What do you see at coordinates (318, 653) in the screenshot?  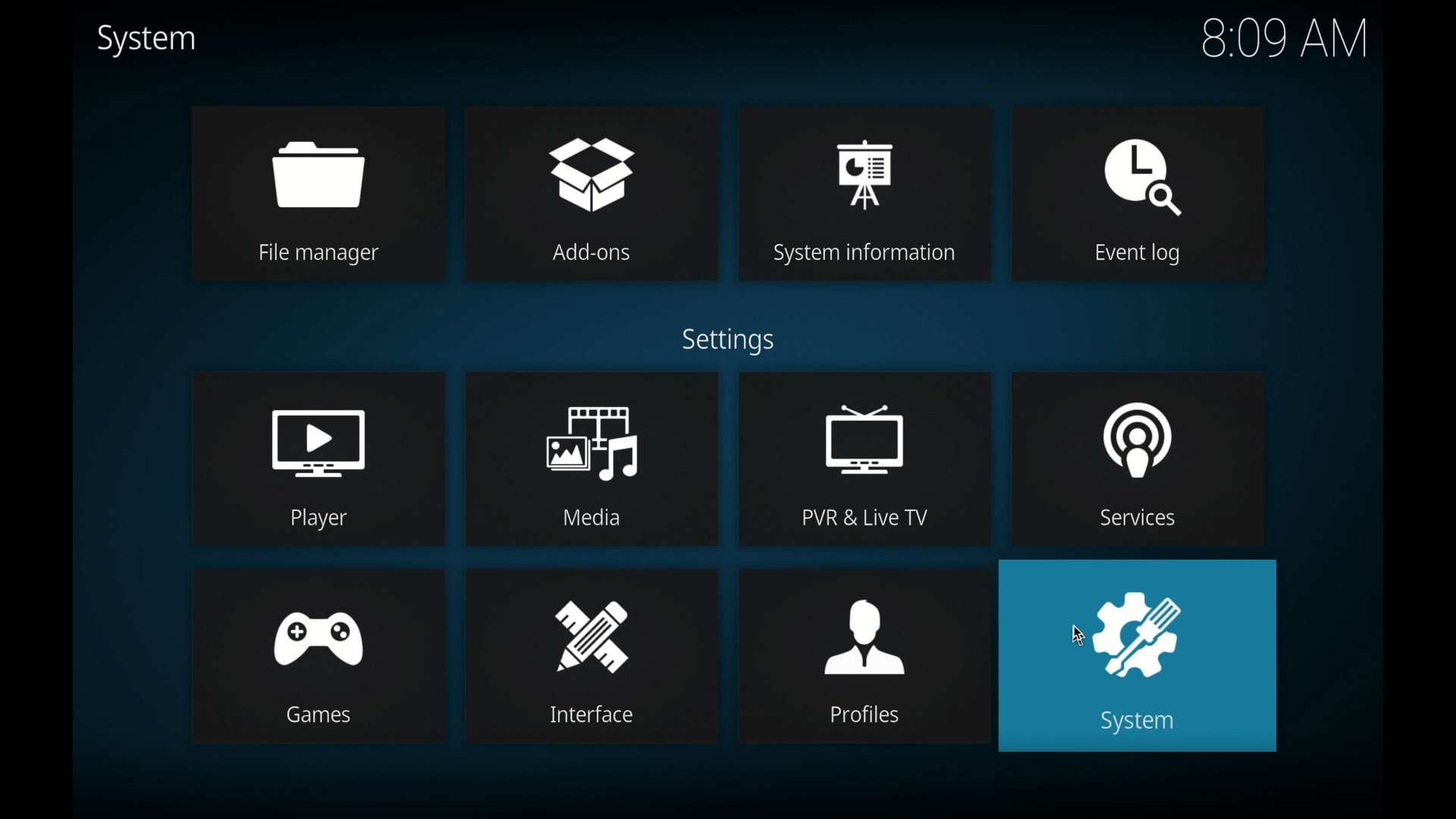 I see `games` at bounding box center [318, 653].